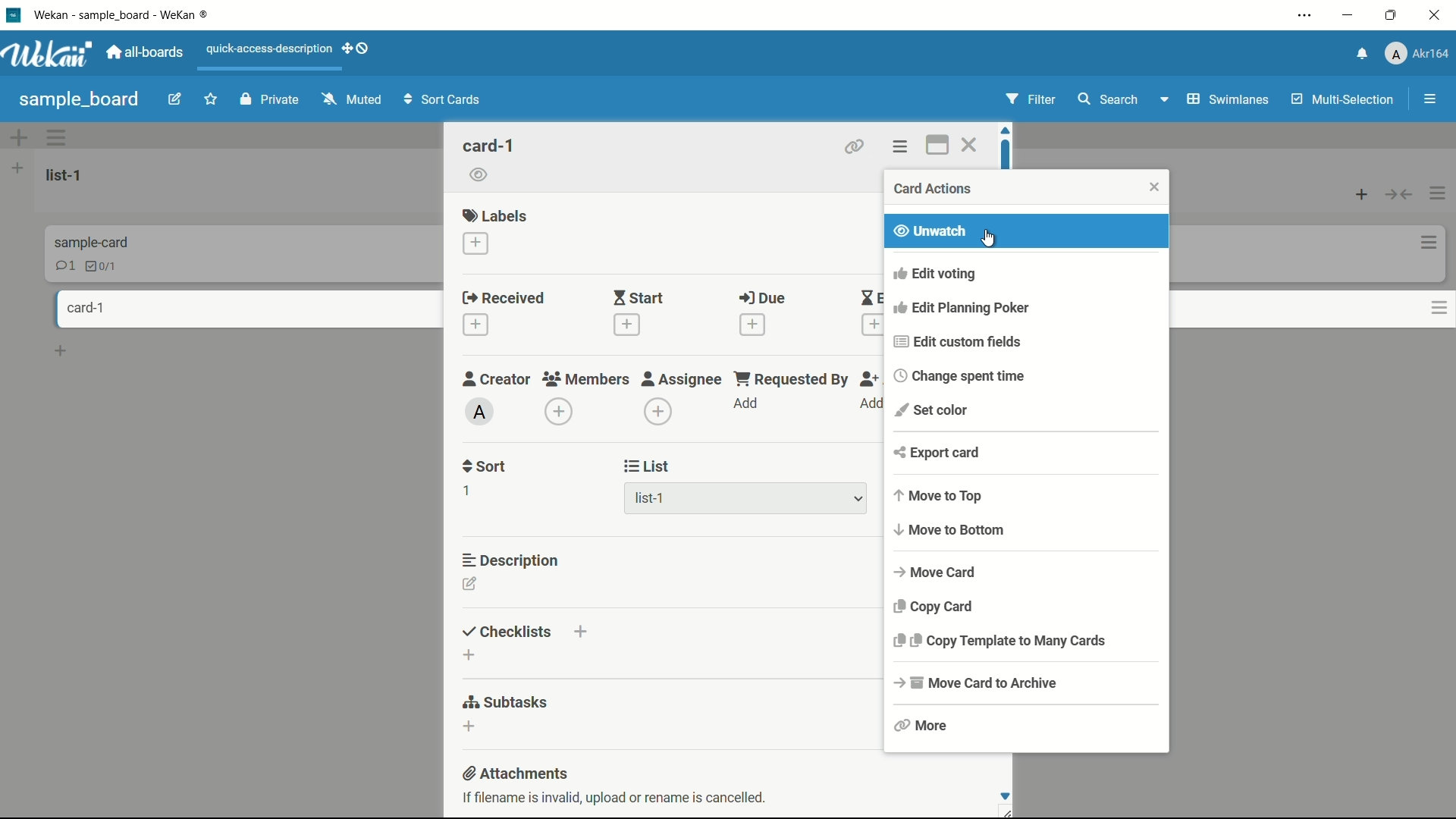 The image size is (1456, 819). I want to click on list actions, so click(1357, 189).